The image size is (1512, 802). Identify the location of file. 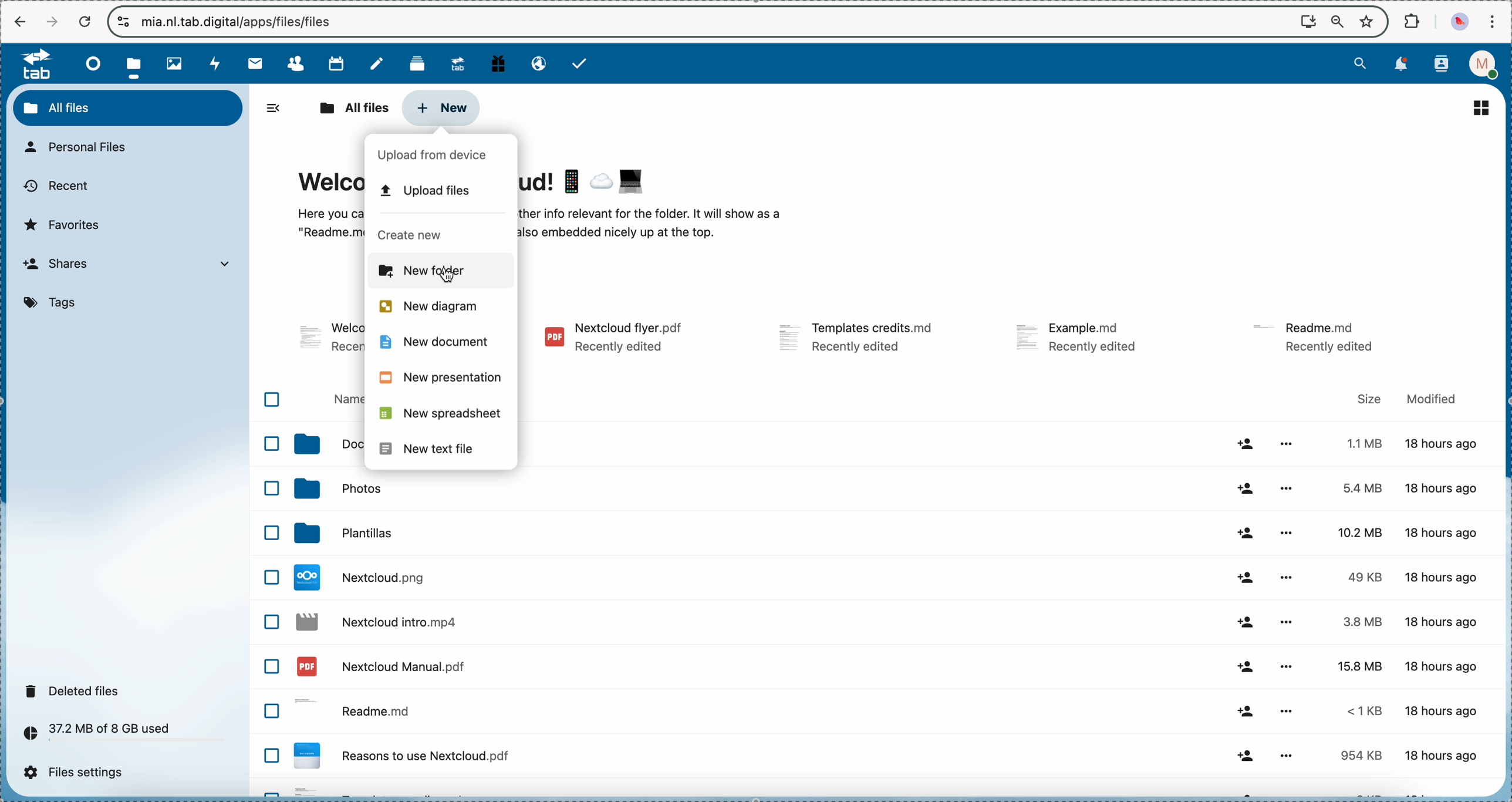
(1318, 336).